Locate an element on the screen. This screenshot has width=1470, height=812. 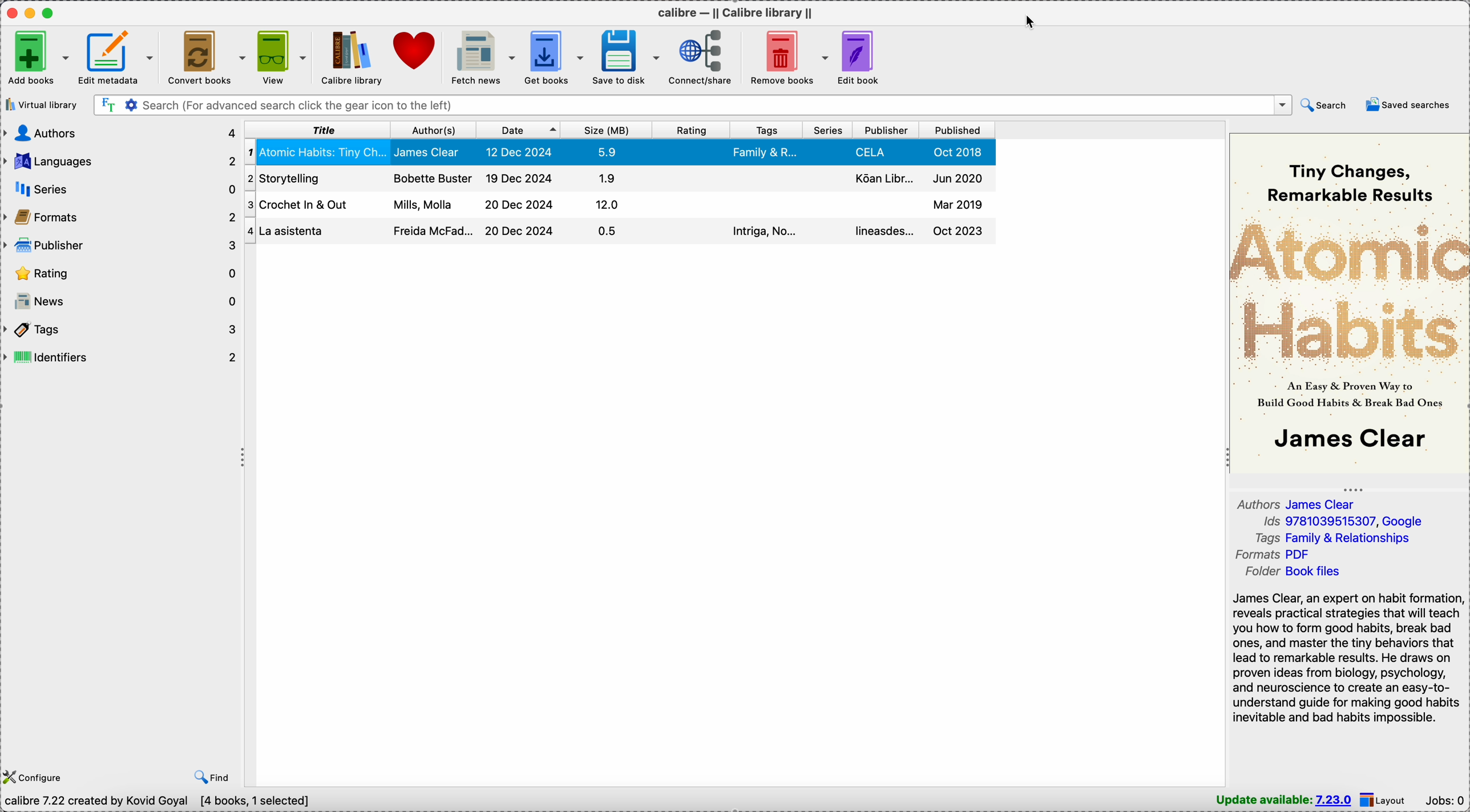
formats is located at coordinates (122, 219).